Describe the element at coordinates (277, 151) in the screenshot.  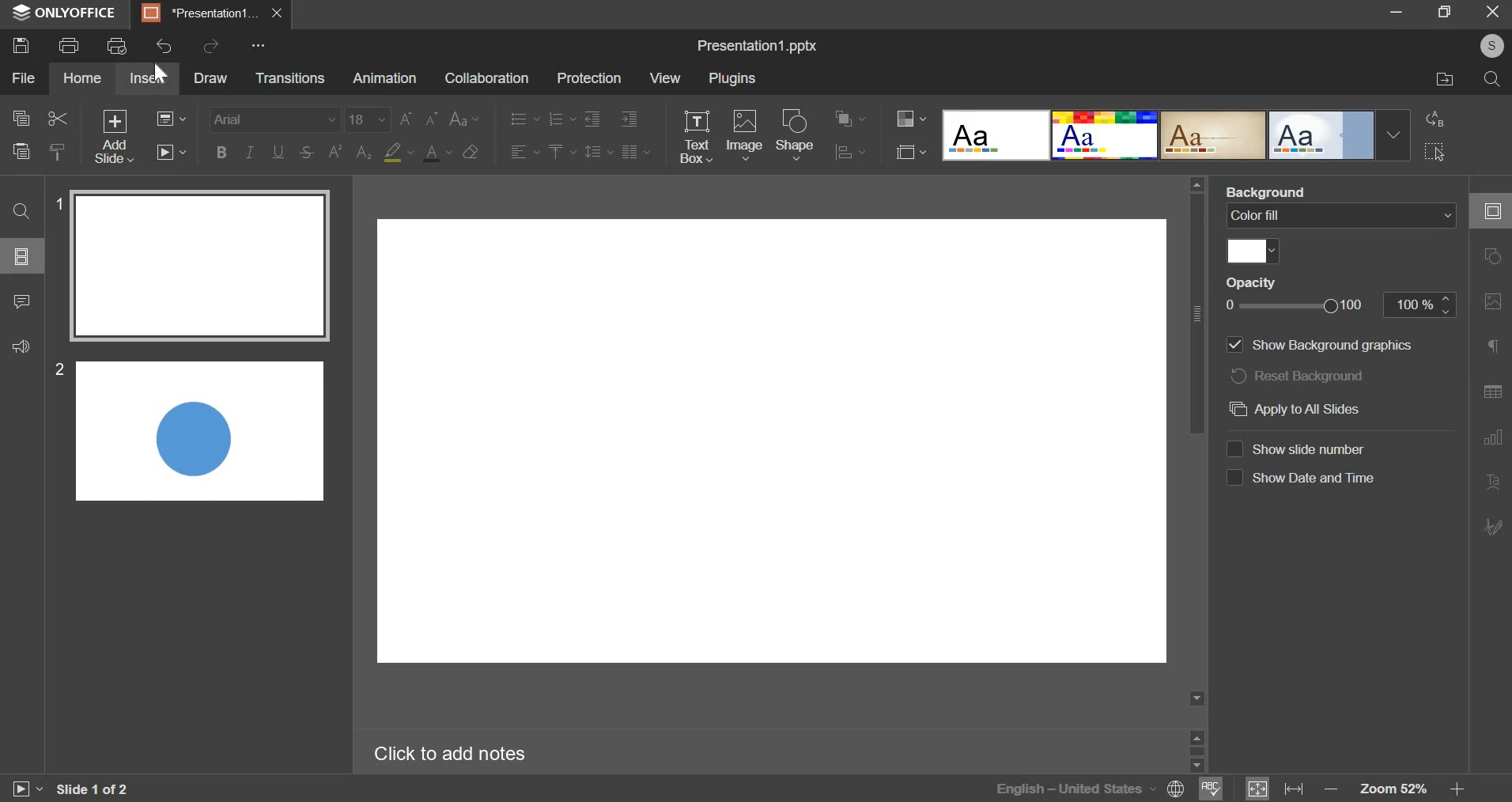
I see `underline` at that location.